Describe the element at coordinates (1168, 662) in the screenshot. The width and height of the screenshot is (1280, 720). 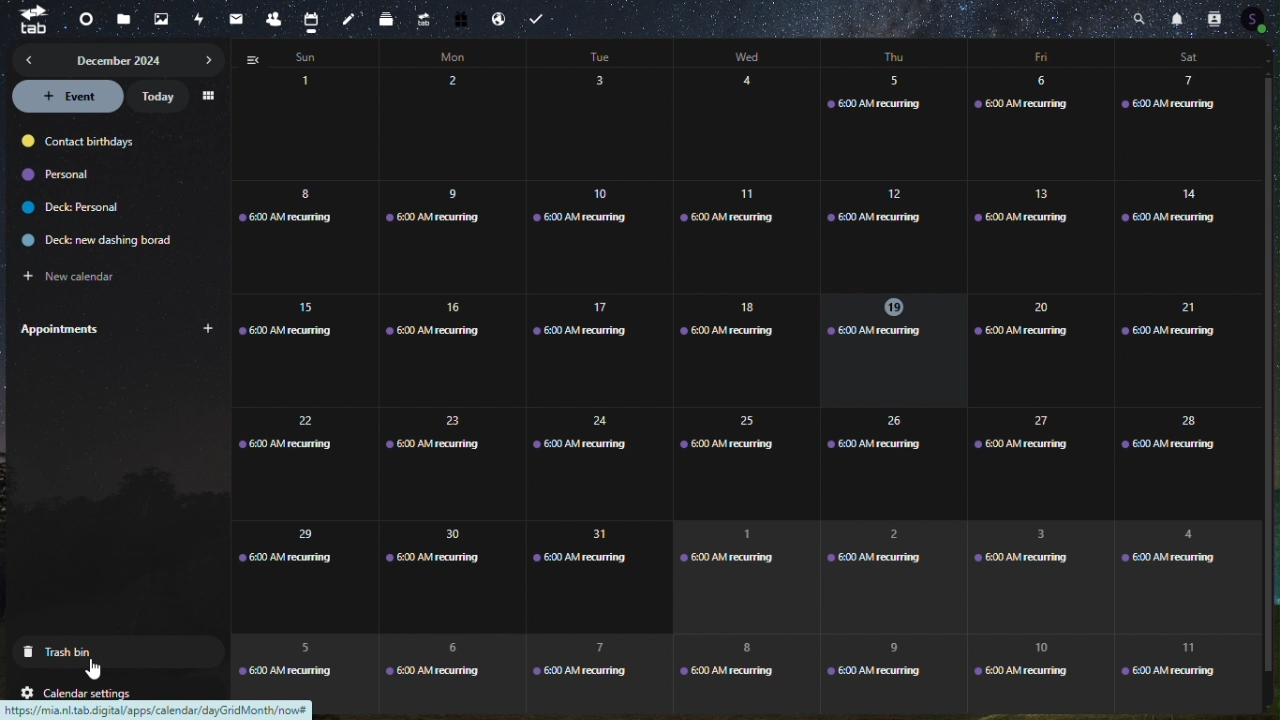
I see `11` at that location.